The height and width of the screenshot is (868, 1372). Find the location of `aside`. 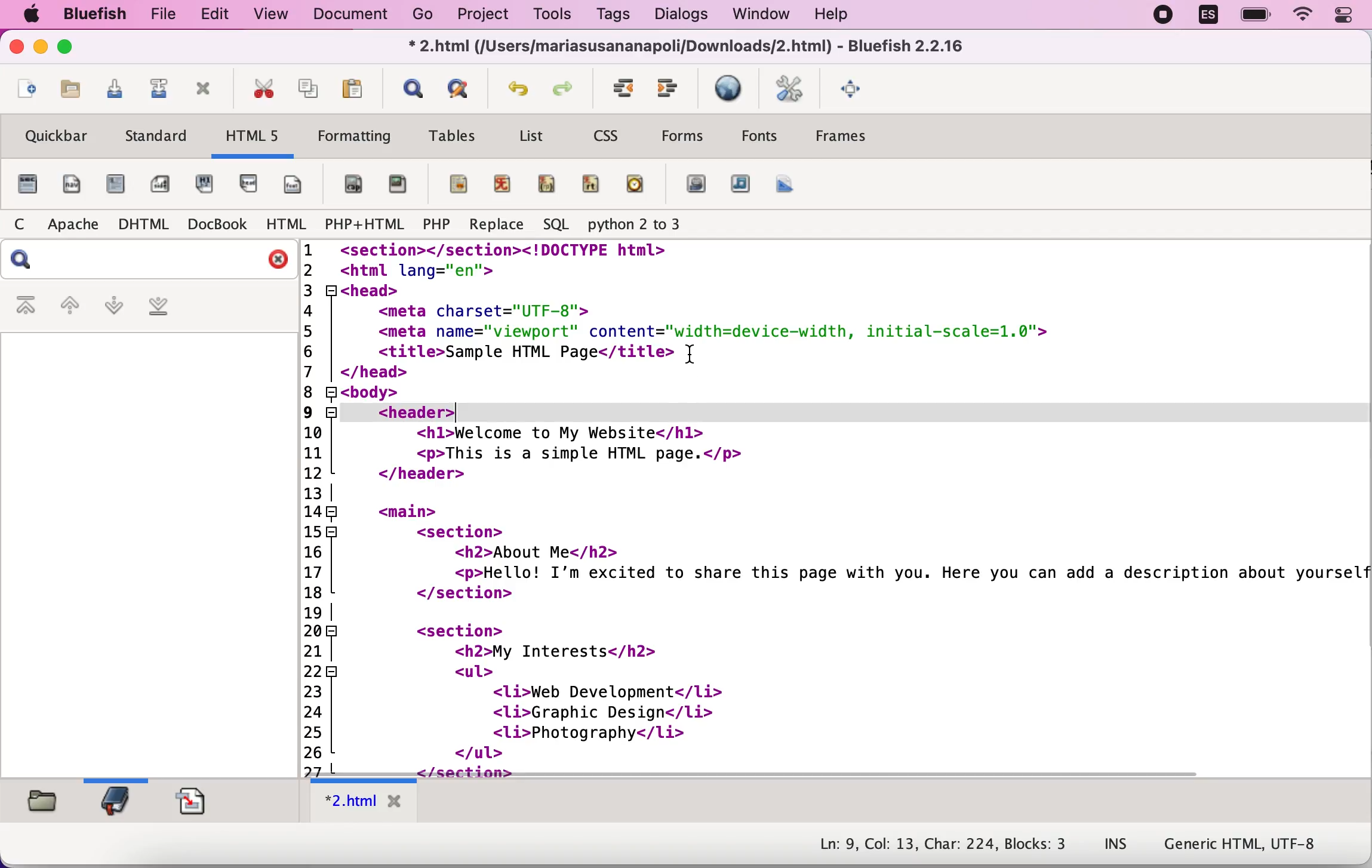

aside is located at coordinates (161, 180).